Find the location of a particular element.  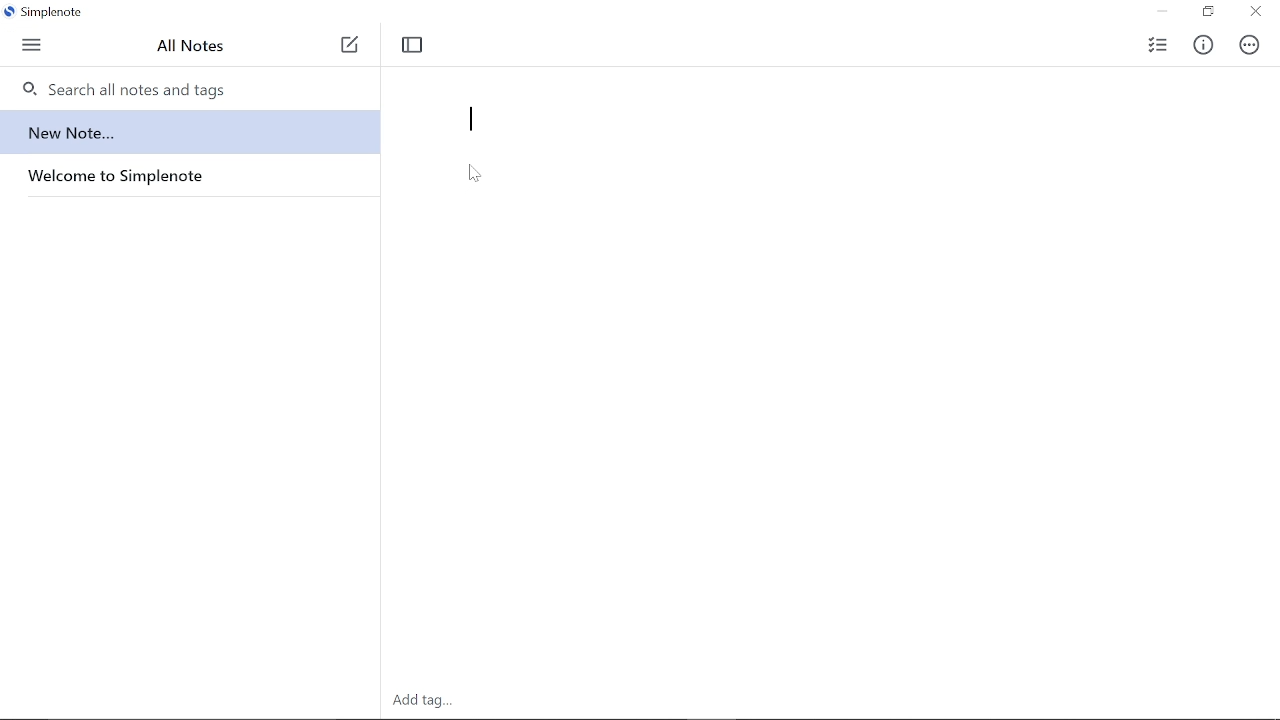

Menu is located at coordinates (34, 43).